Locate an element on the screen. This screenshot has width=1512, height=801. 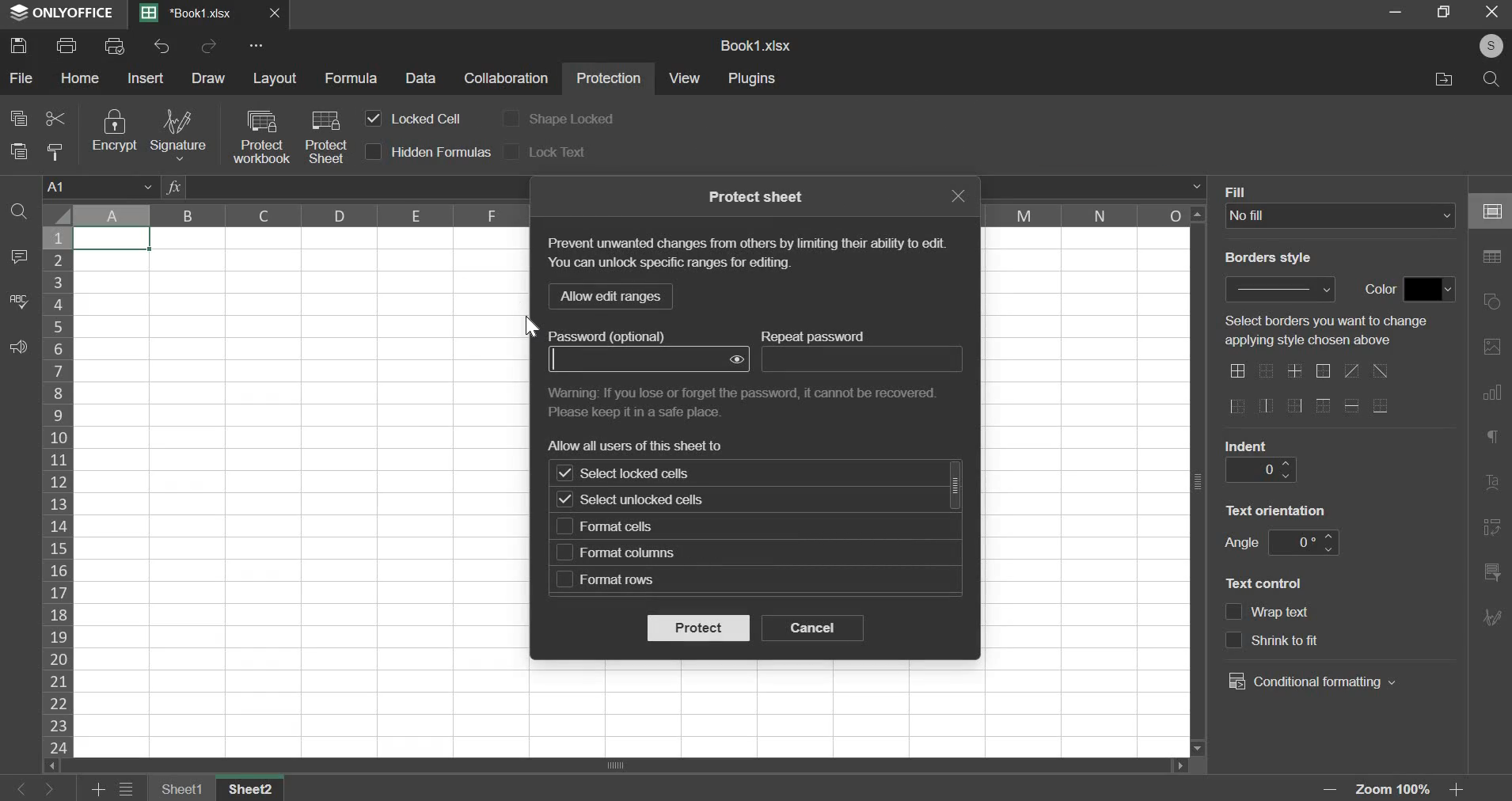
text control is located at coordinates (1284, 613).